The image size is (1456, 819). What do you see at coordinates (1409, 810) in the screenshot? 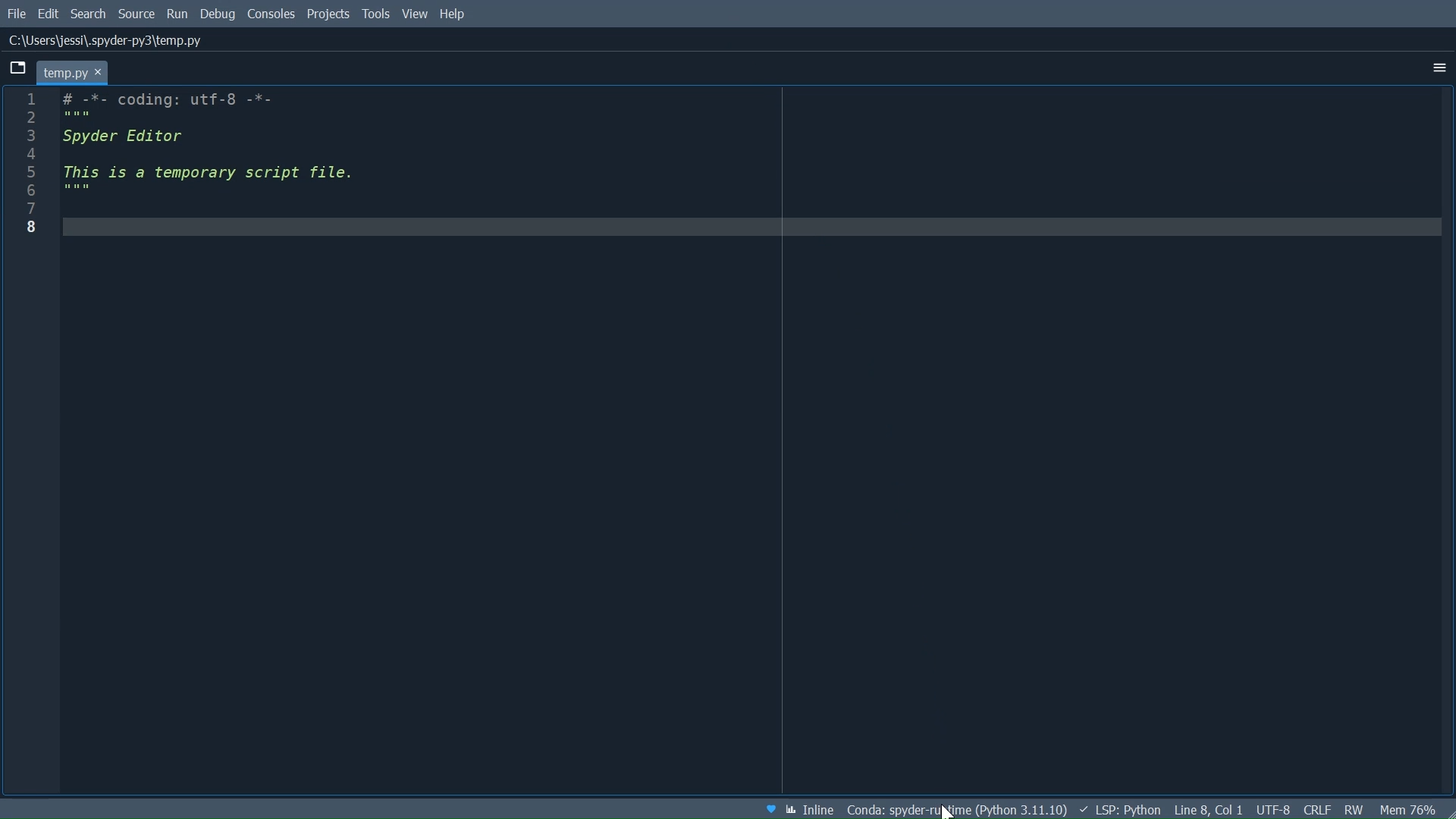
I see `Memory Usage` at bounding box center [1409, 810].